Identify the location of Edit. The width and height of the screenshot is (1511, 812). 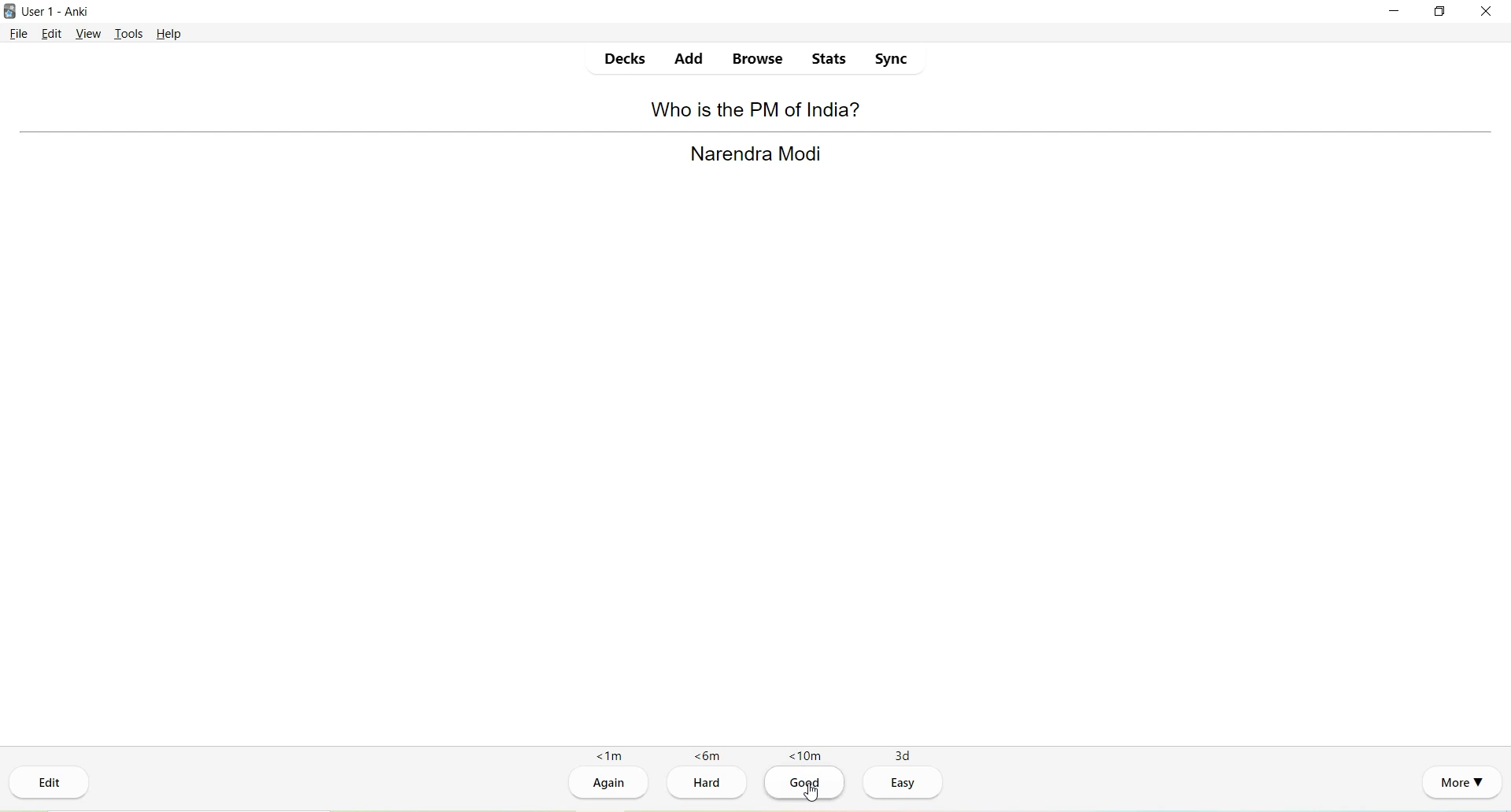
(54, 34).